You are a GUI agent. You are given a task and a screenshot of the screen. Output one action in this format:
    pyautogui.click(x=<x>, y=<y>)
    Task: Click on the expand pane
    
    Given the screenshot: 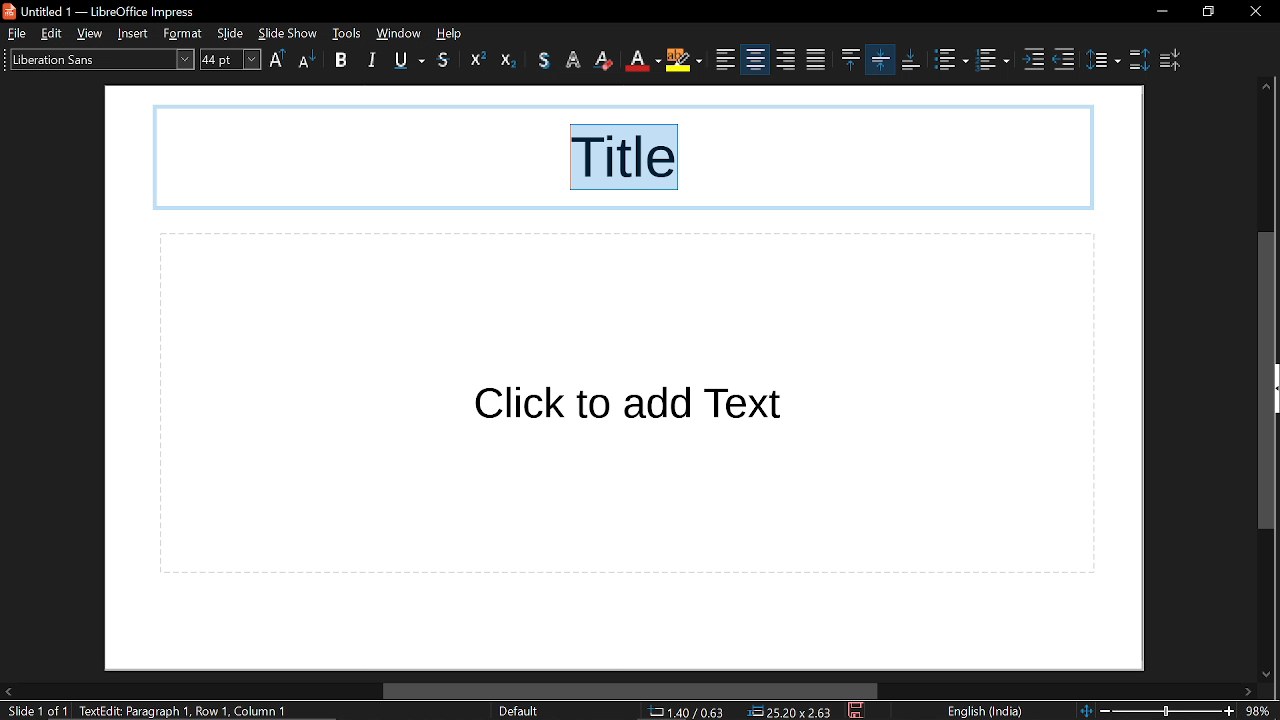 What is the action you would take?
    pyautogui.click(x=1276, y=390)
    